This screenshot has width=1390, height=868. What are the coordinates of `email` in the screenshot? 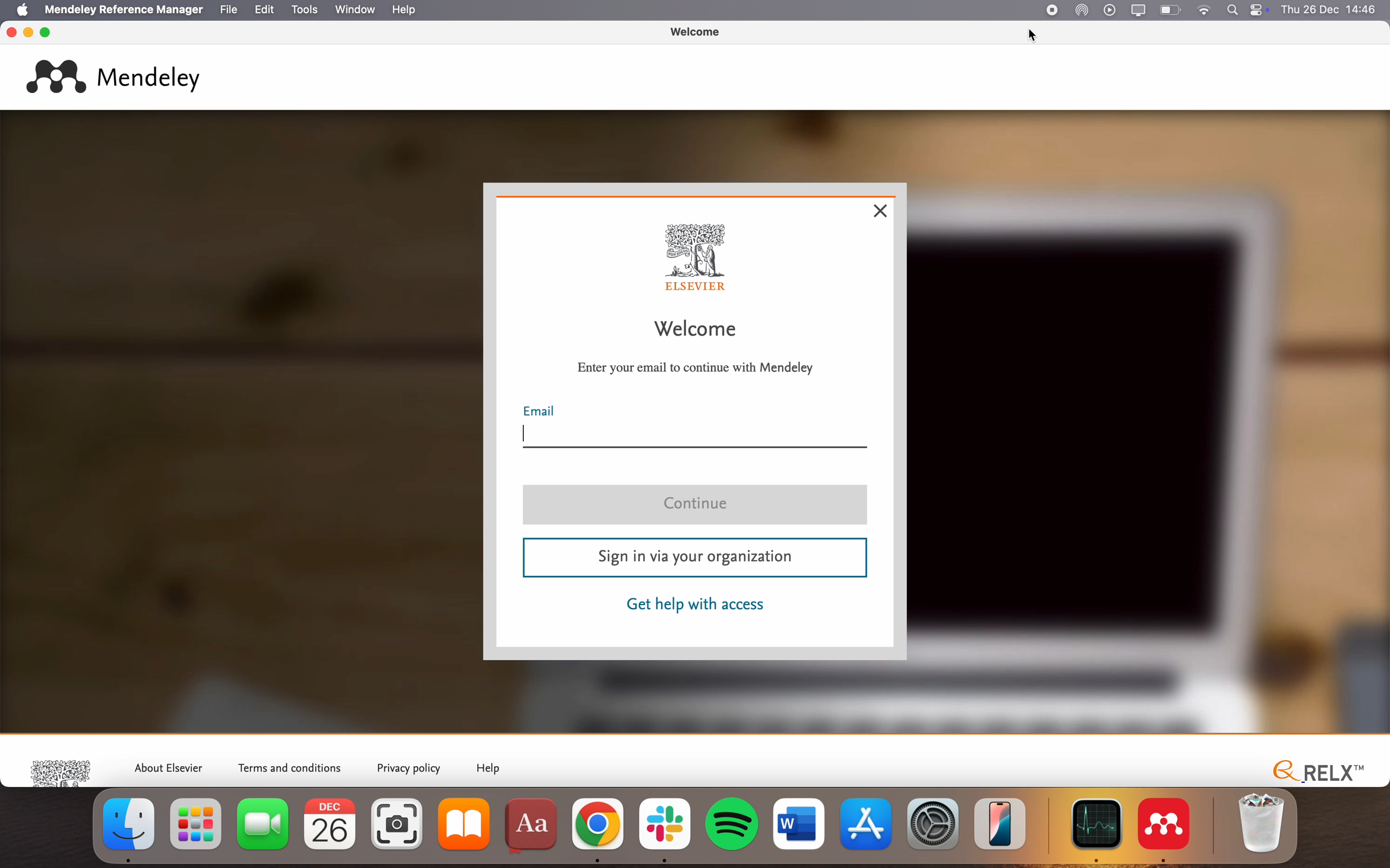 It's located at (696, 427).